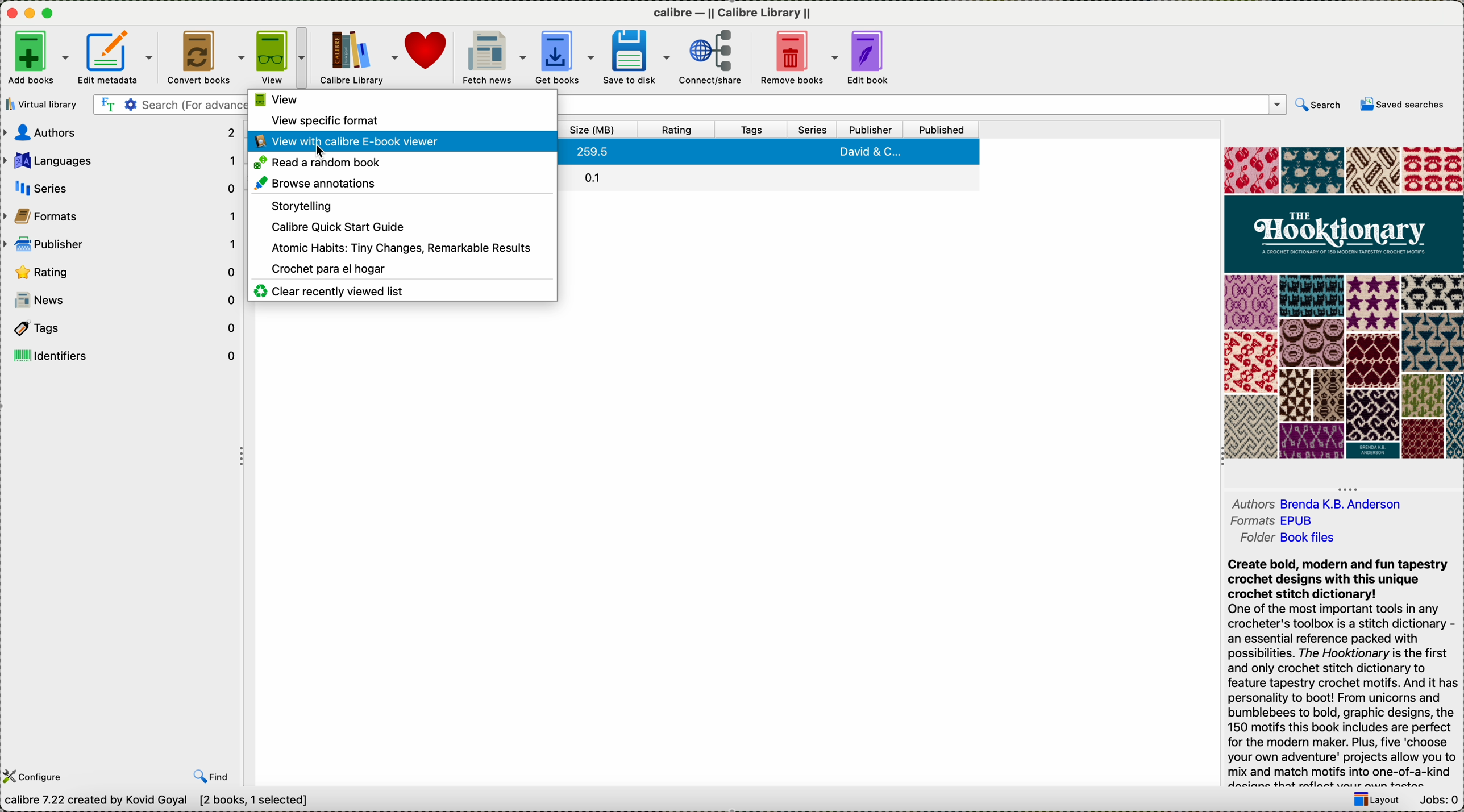 Image resolution: width=1464 pixels, height=812 pixels. I want to click on tags, so click(756, 129).